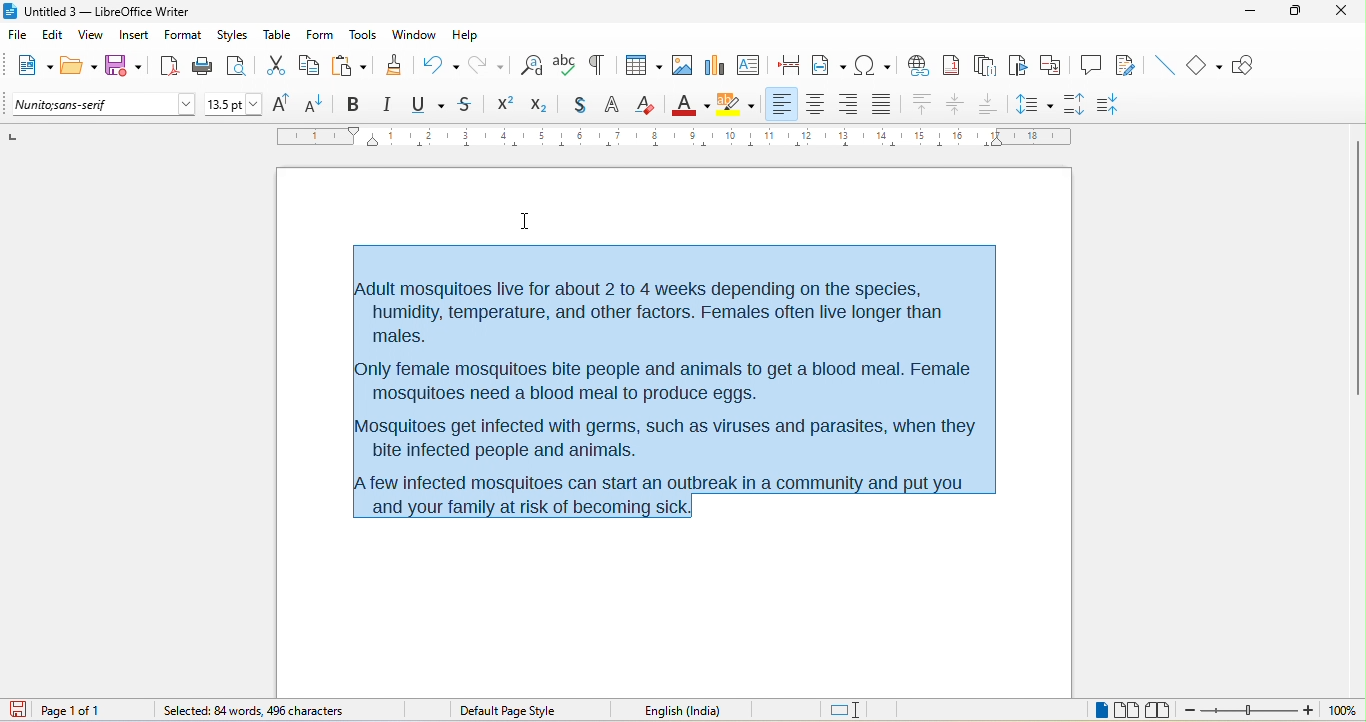  Describe the element at coordinates (278, 103) in the screenshot. I see `increase size` at that location.